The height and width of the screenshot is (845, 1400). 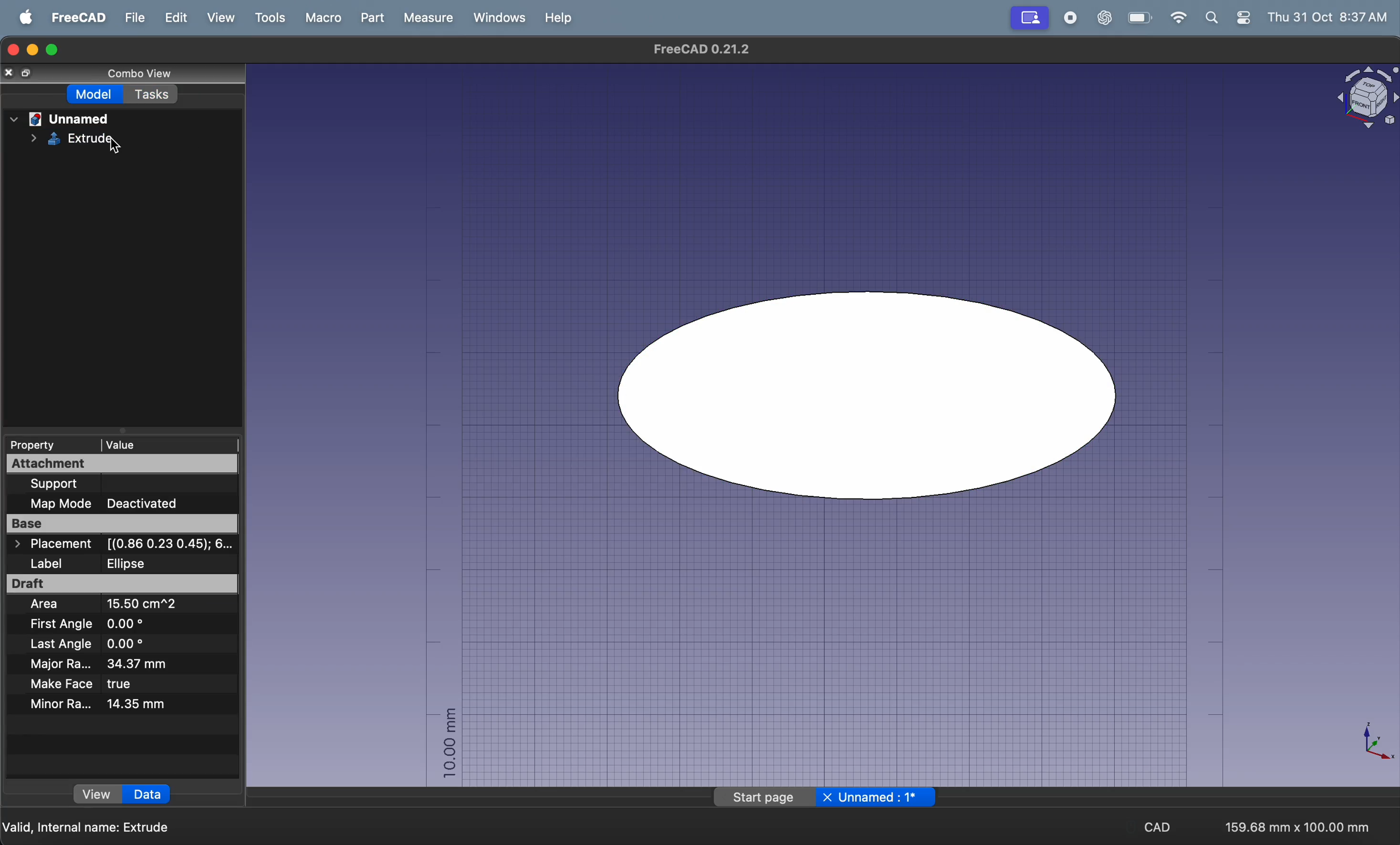 I want to click on value, so click(x=165, y=442).